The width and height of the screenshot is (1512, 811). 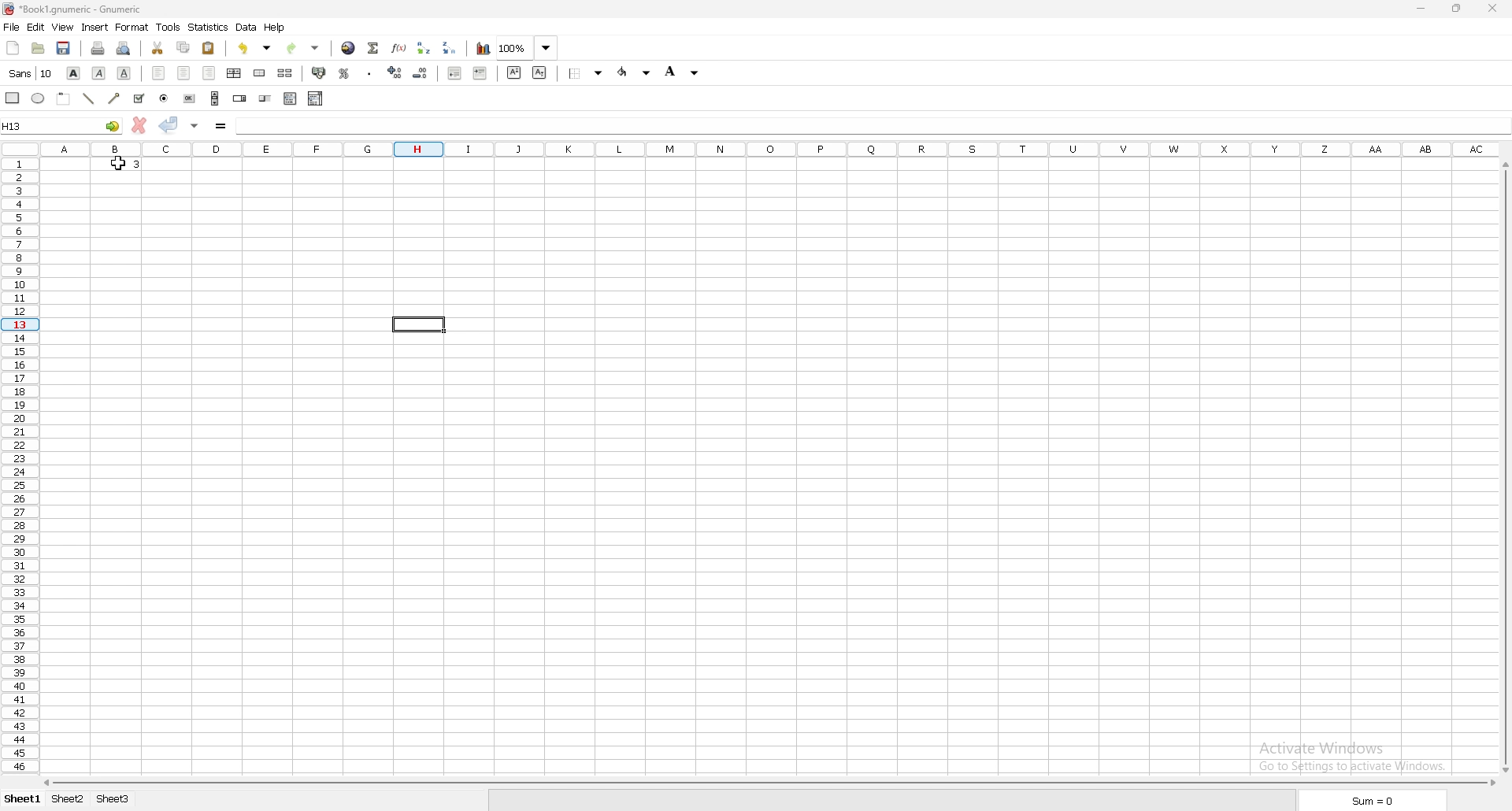 What do you see at coordinates (256, 47) in the screenshot?
I see `undo` at bounding box center [256, 47].